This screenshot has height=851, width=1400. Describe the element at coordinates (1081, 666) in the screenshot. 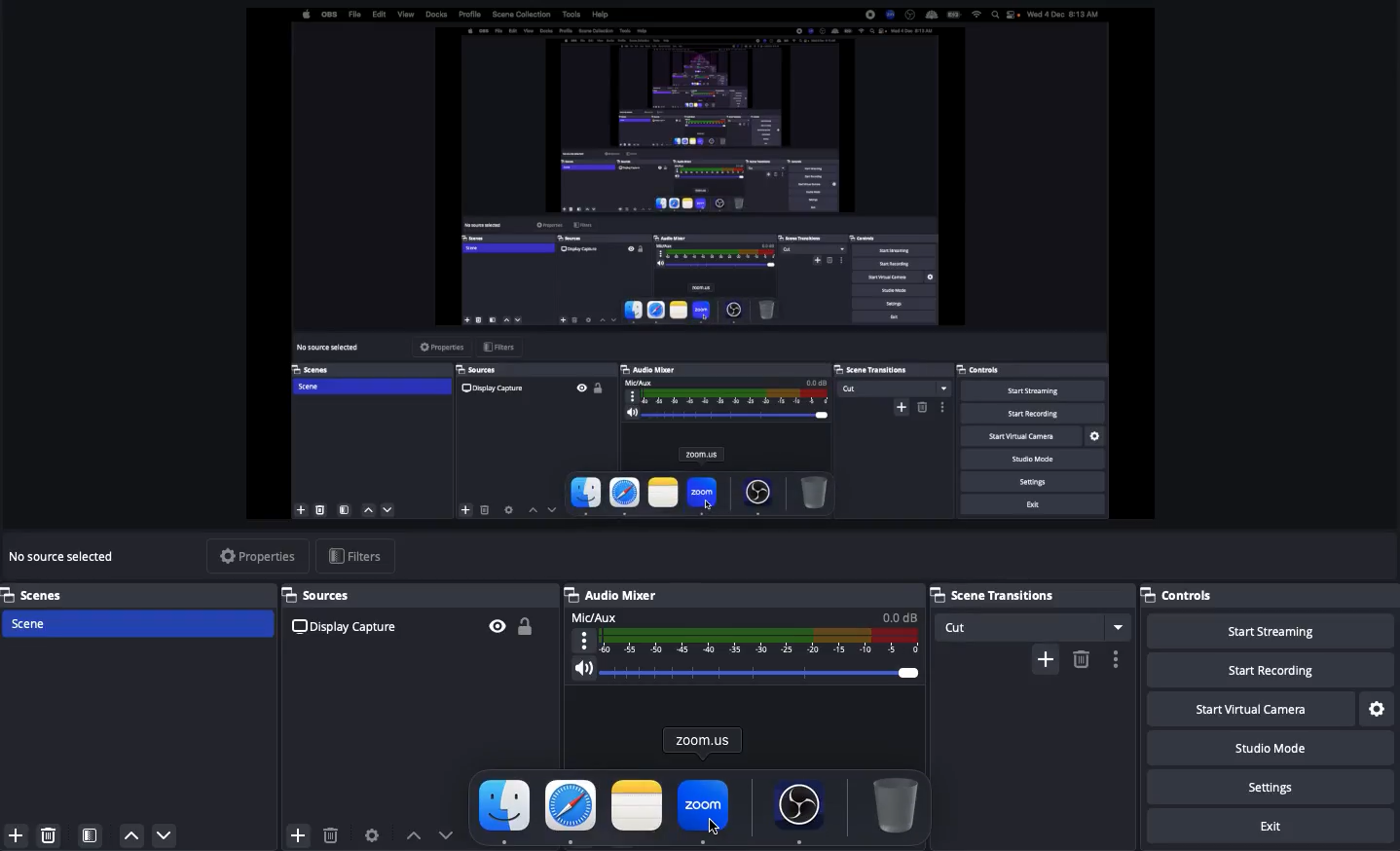

I see `delete` at that location.